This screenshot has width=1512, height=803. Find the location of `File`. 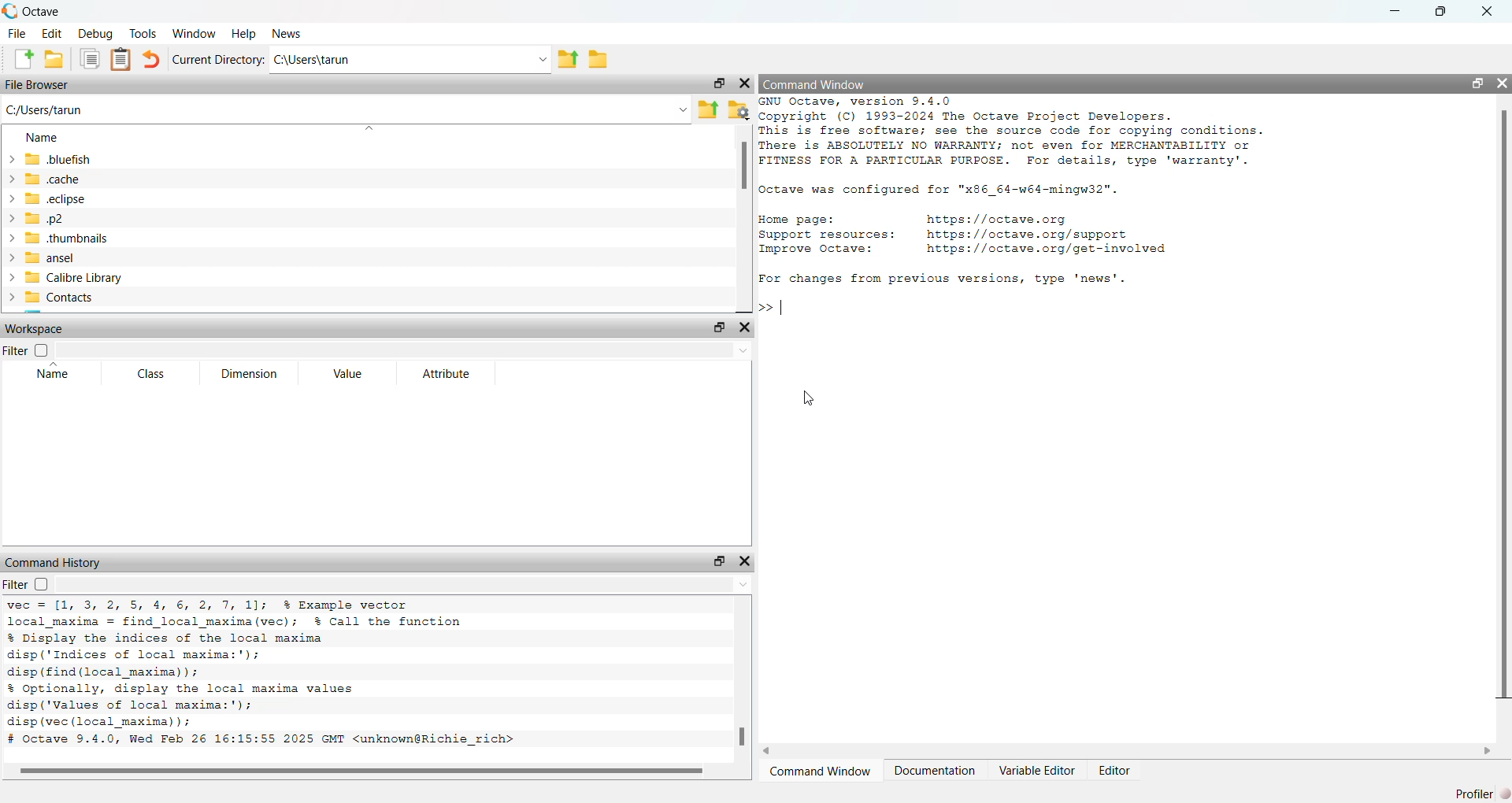

File is located at coordinates (18, 33).